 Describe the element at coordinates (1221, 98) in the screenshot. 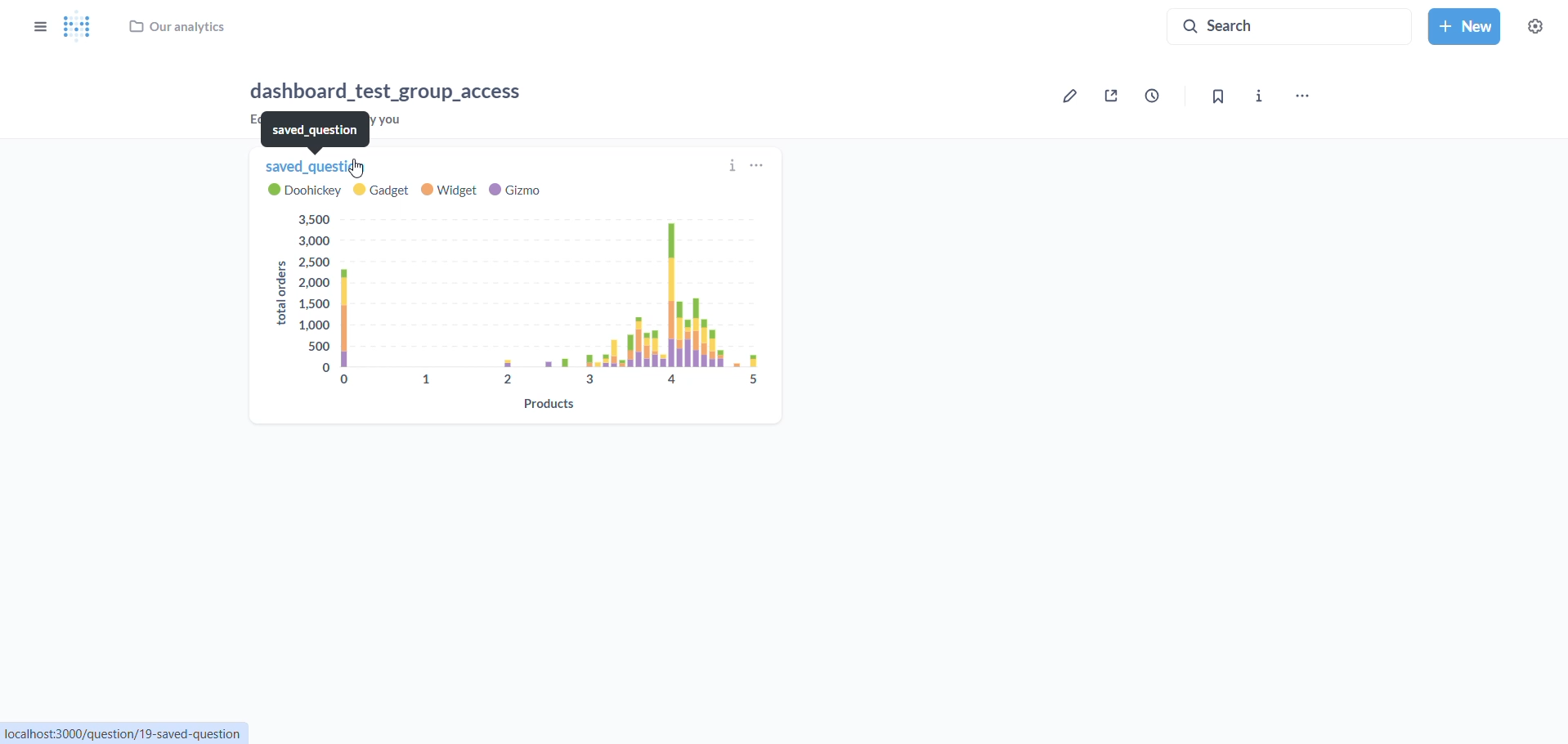

I see `bookmark` at that location.